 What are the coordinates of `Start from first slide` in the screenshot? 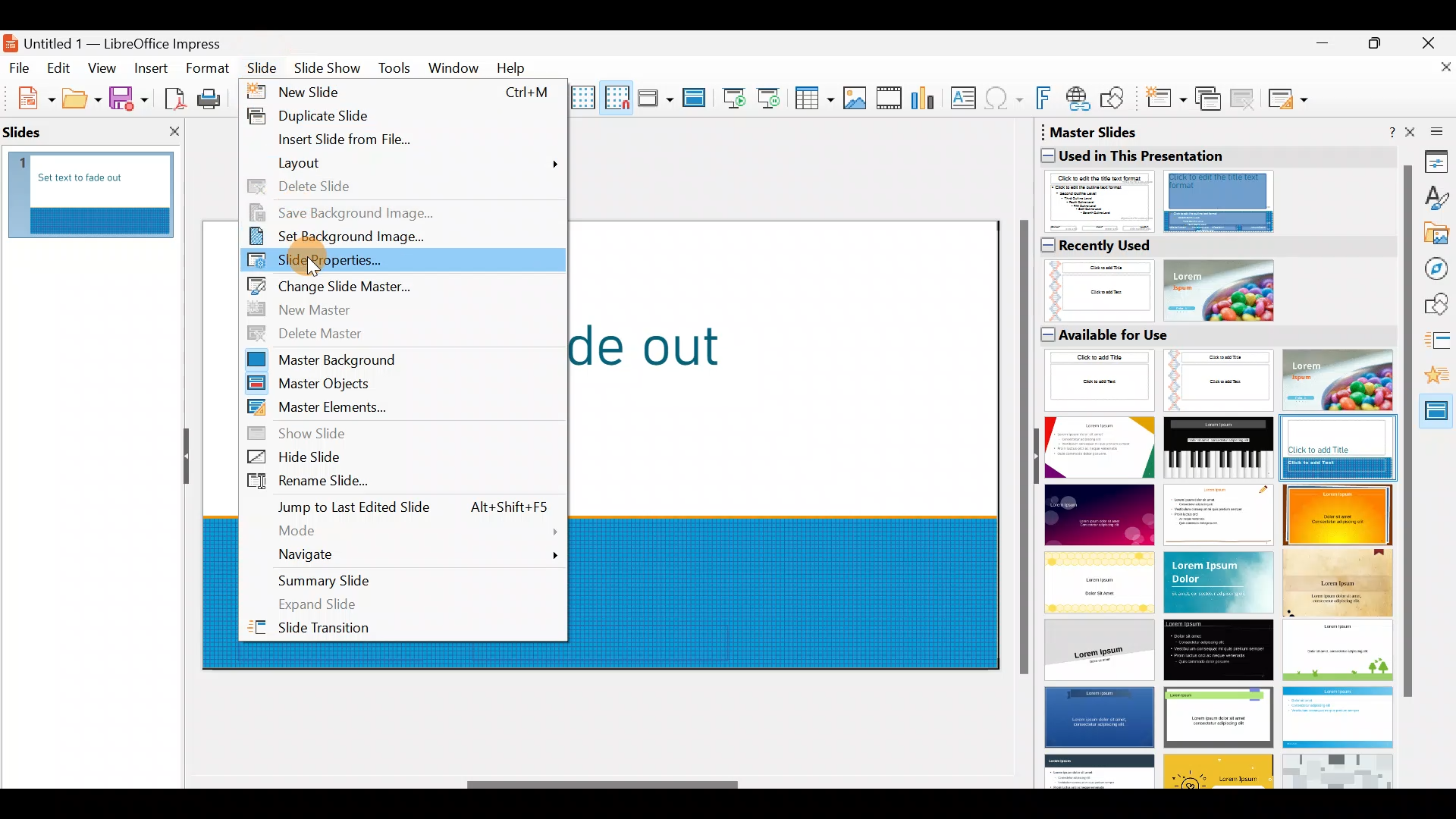 It's located at (734, 96).